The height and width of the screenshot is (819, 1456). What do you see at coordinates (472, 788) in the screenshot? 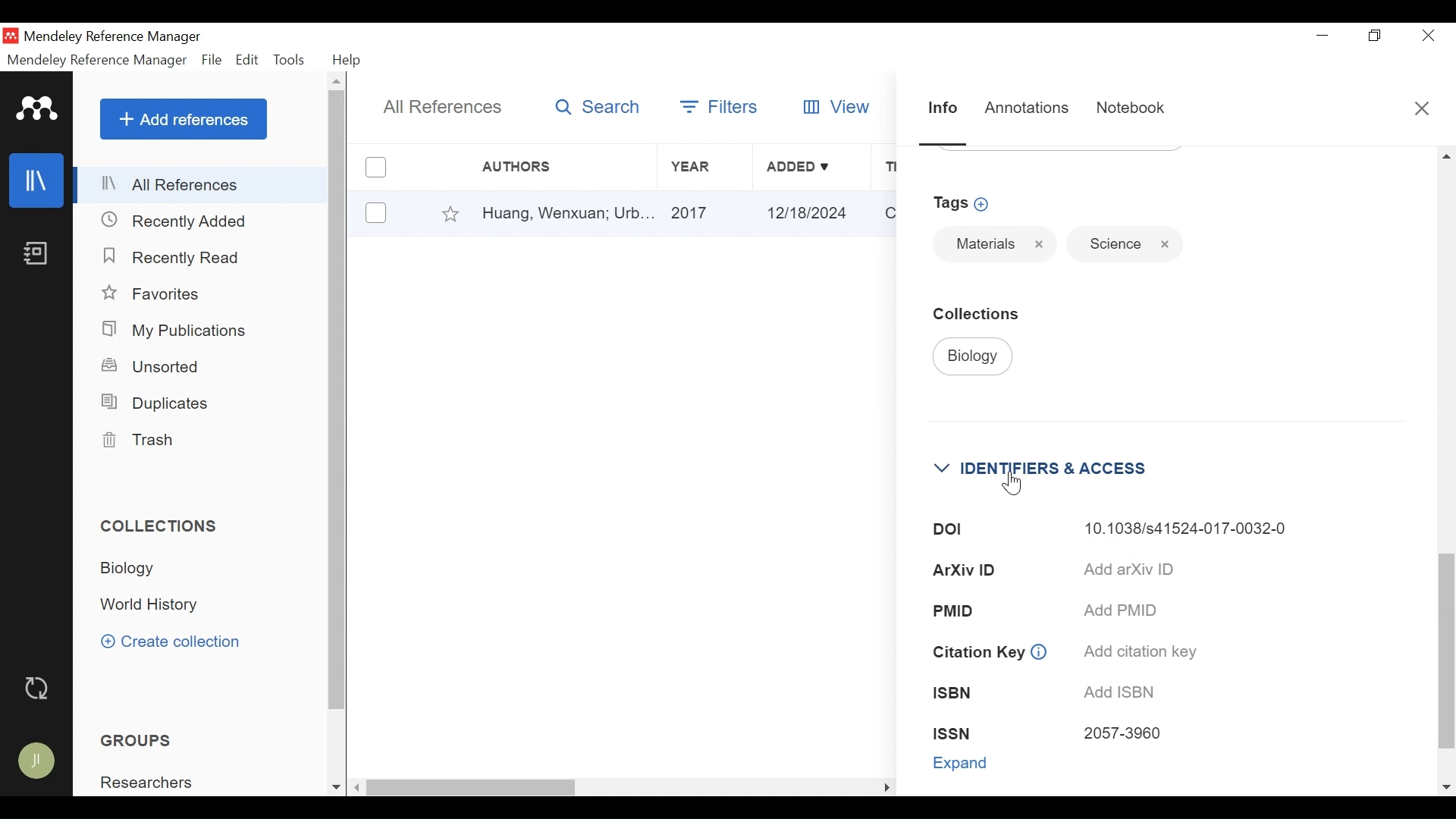
I see `Vertical Scroll bar` at bounding box center [472, 788].